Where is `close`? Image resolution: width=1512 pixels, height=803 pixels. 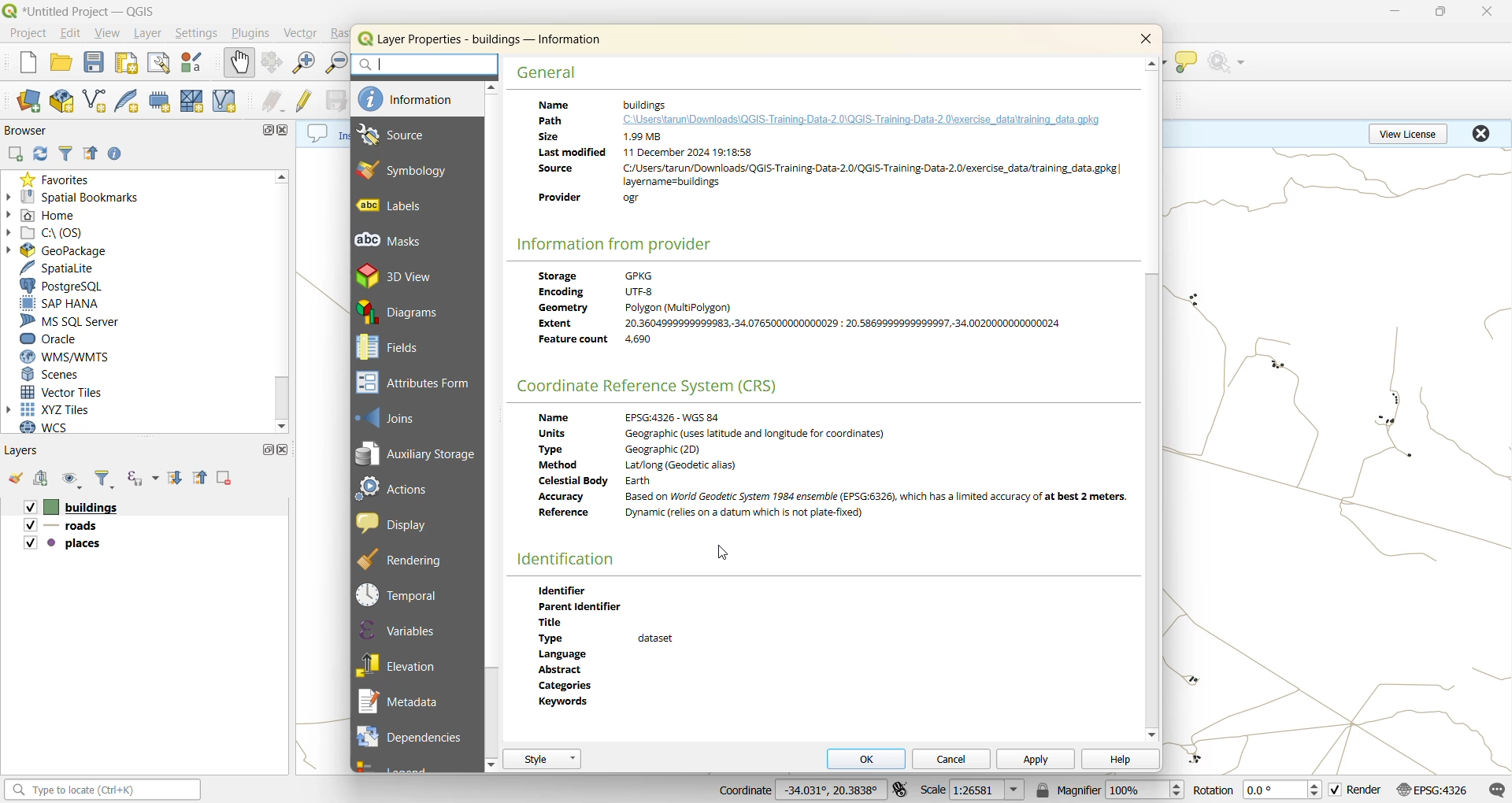 close is located at coordinates (282, 129).